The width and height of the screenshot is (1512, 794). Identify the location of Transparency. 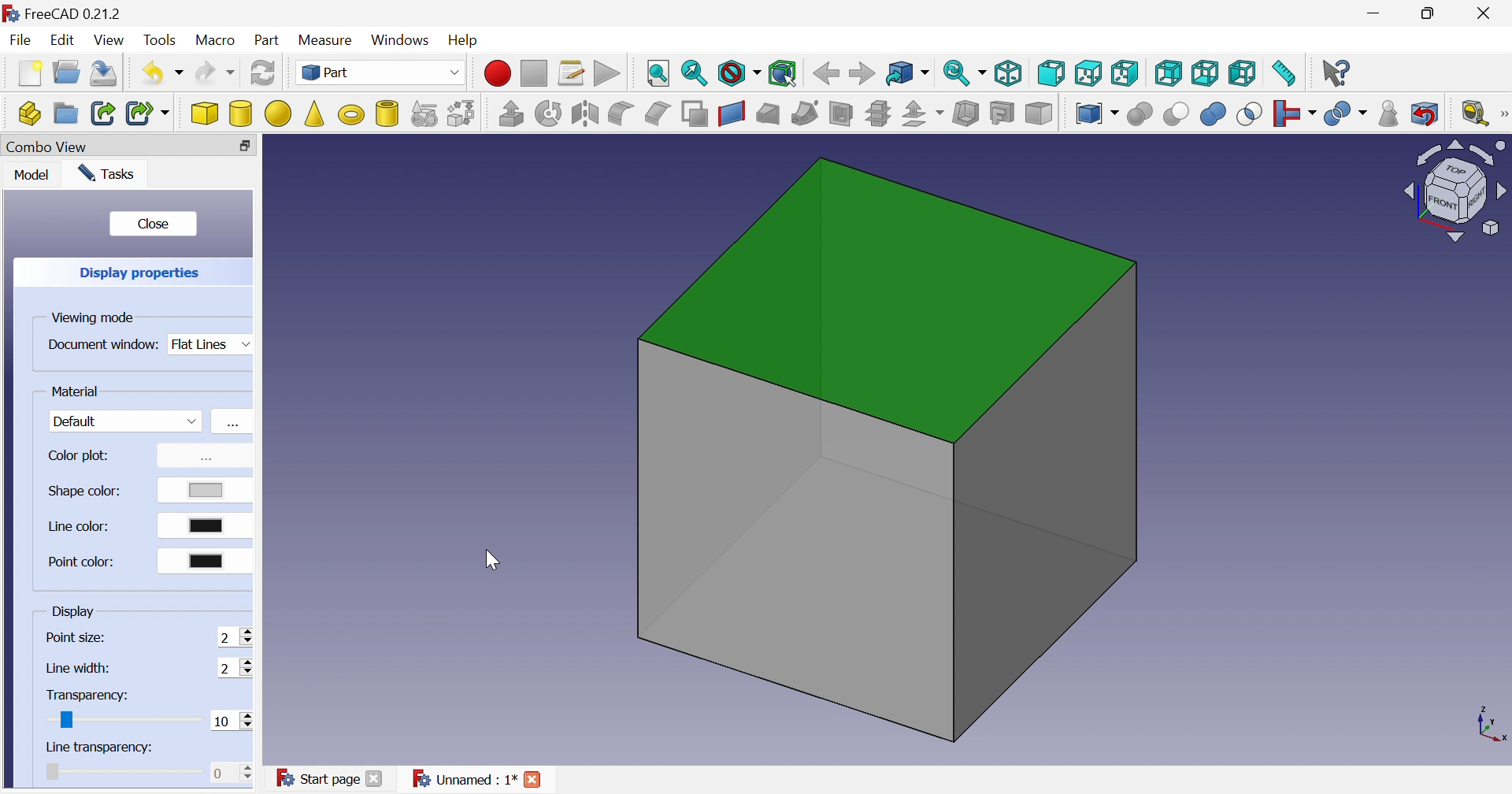
(88, 696).